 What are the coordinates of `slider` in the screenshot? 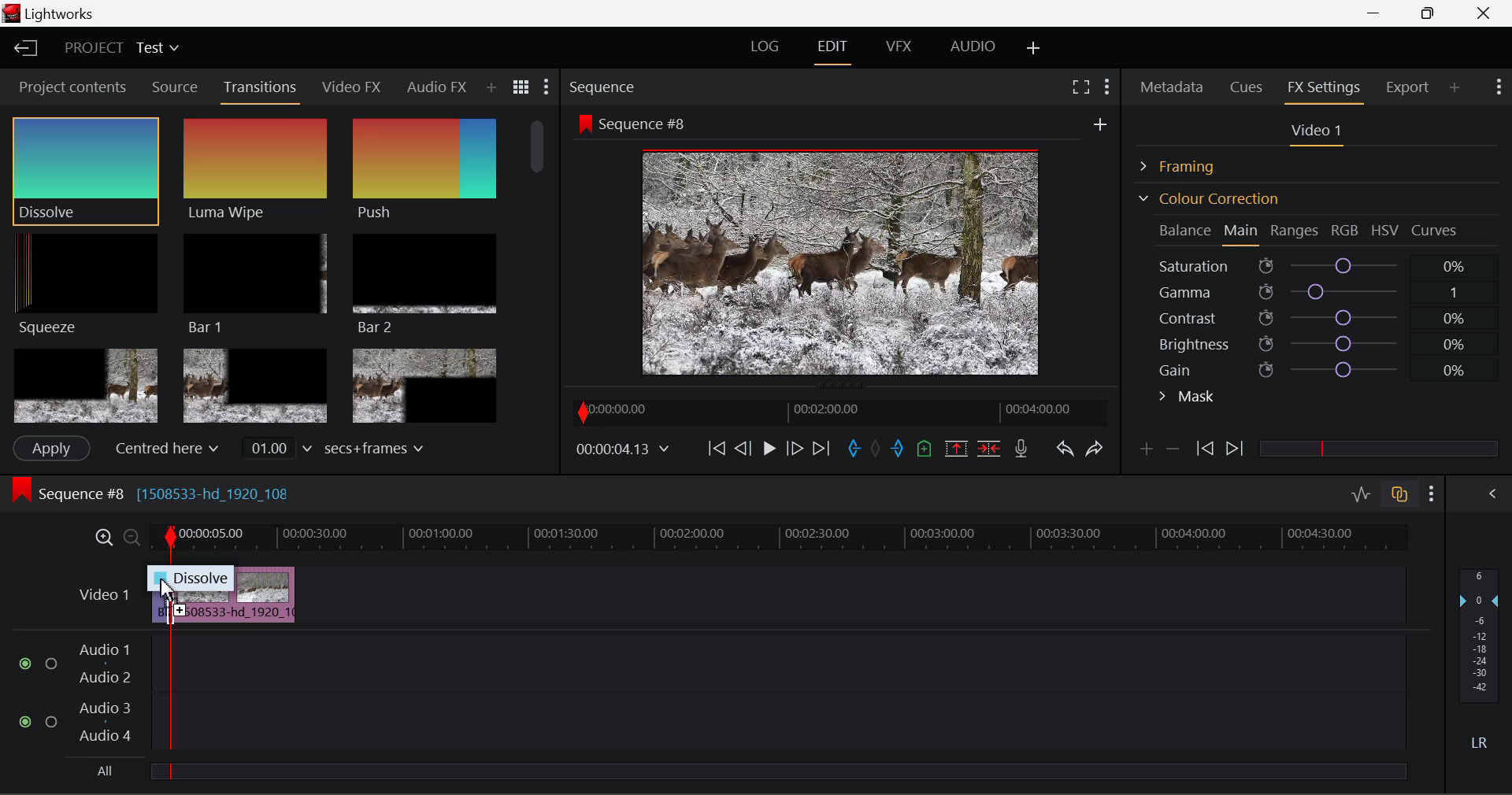 It's located at (1378, 448).